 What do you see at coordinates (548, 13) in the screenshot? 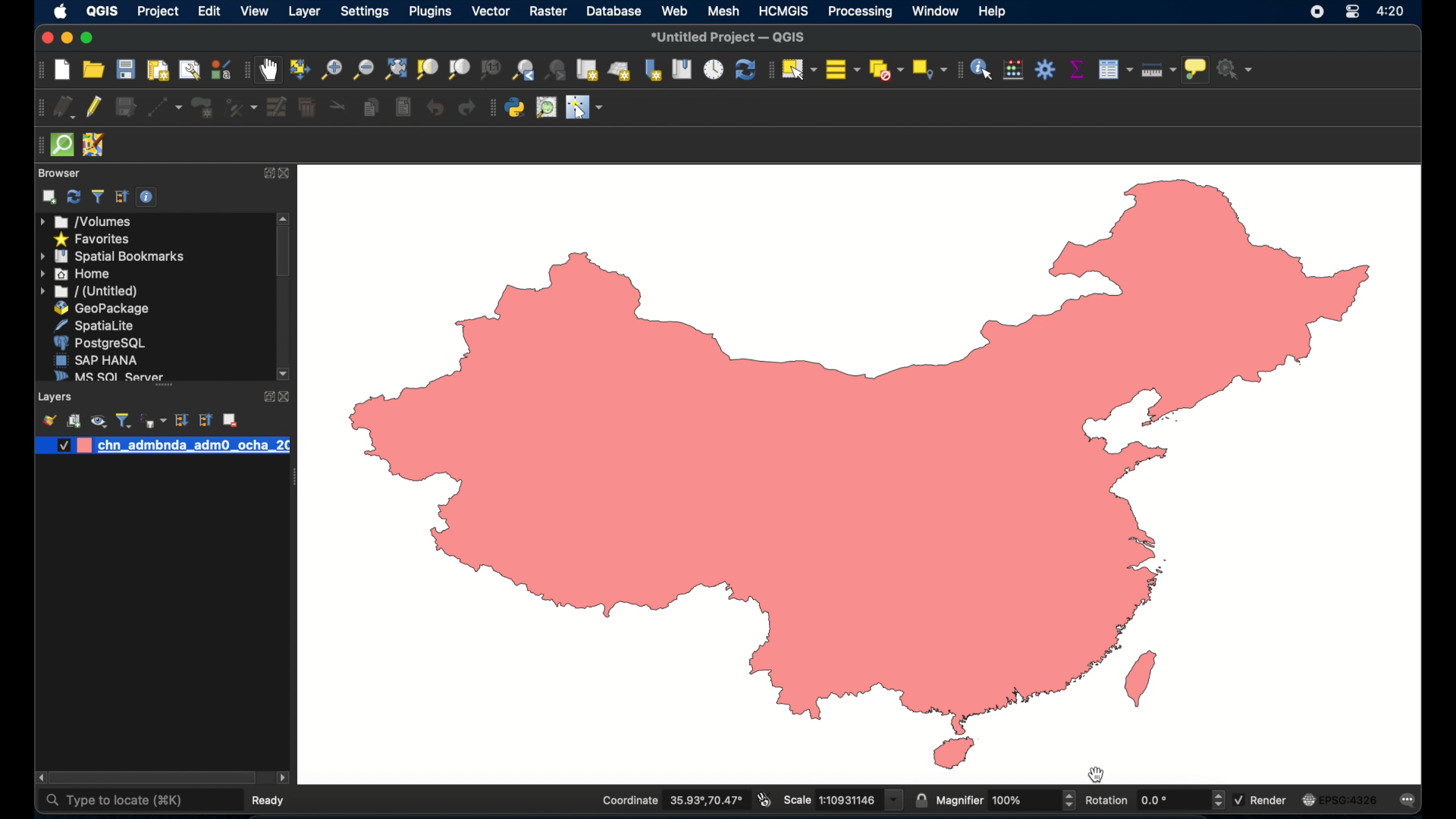
I see `raster` at bounding box center [548, 13].